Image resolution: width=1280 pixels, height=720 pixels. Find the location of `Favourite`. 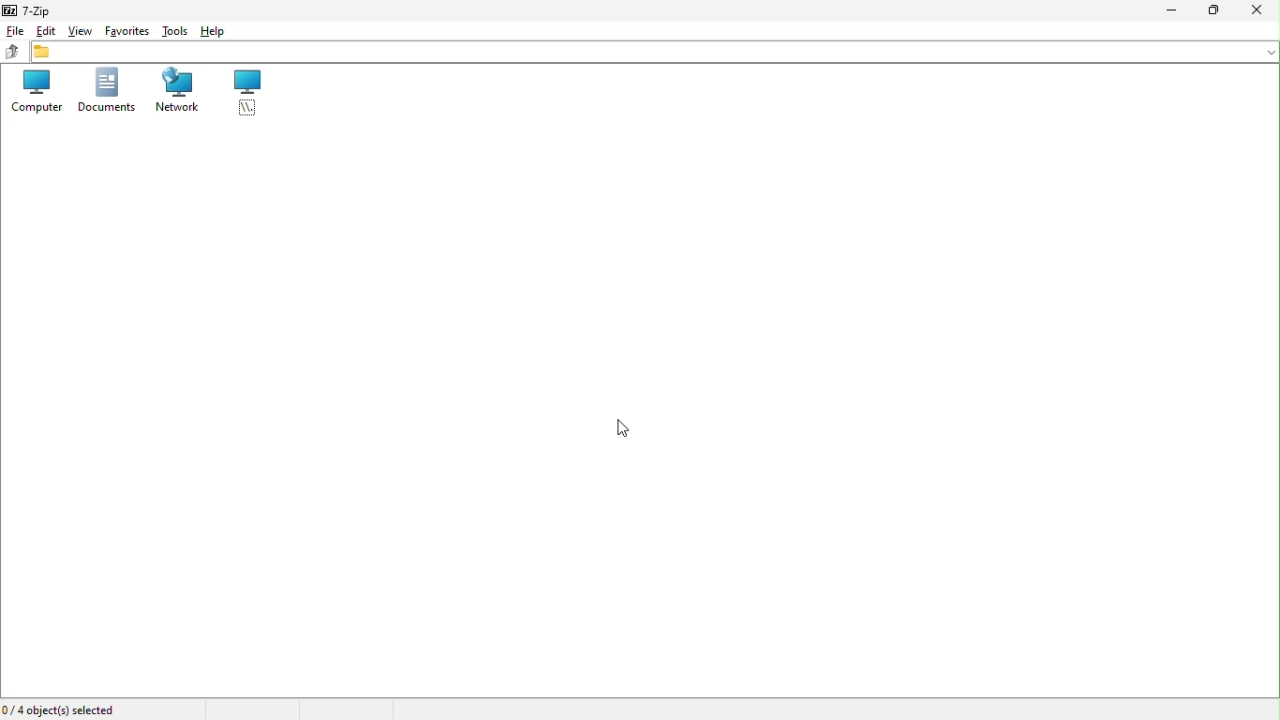

Favourite is located at coordinates (125, 29).